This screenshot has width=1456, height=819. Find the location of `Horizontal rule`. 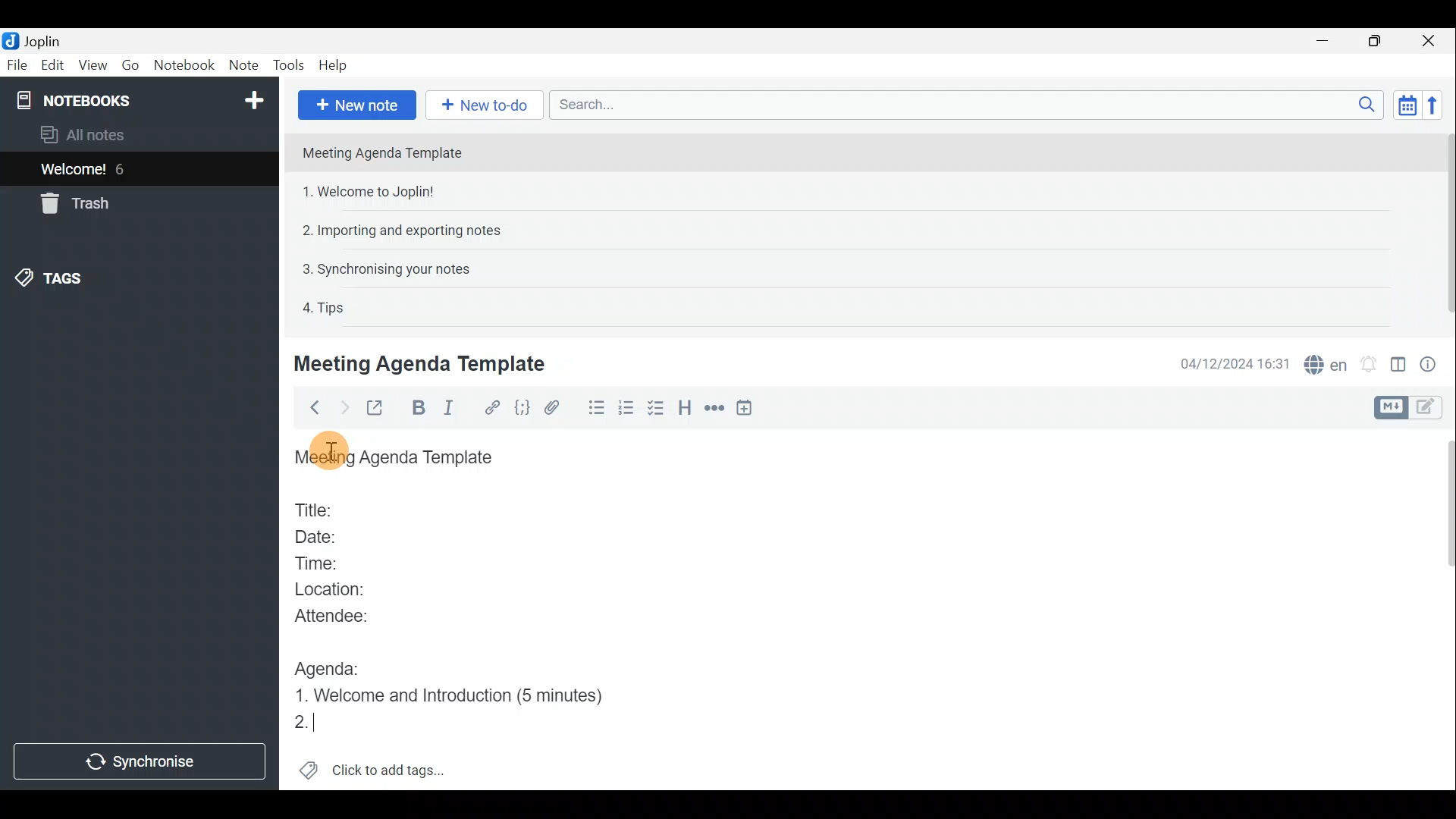

Horizontal rule is located at coordinates (716, 410).